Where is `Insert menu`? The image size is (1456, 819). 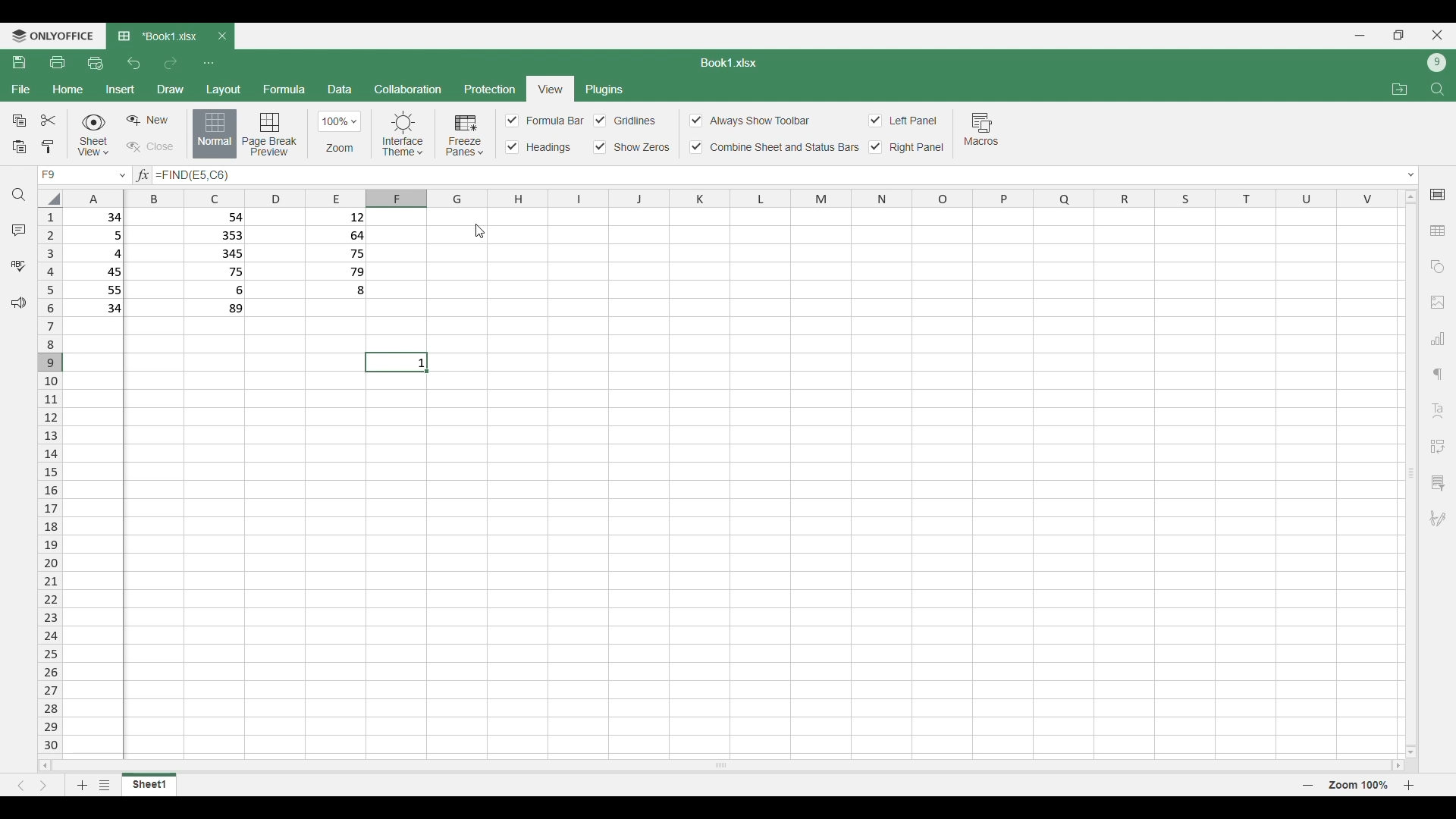 Insert menu is located at coordinates (119, 90).